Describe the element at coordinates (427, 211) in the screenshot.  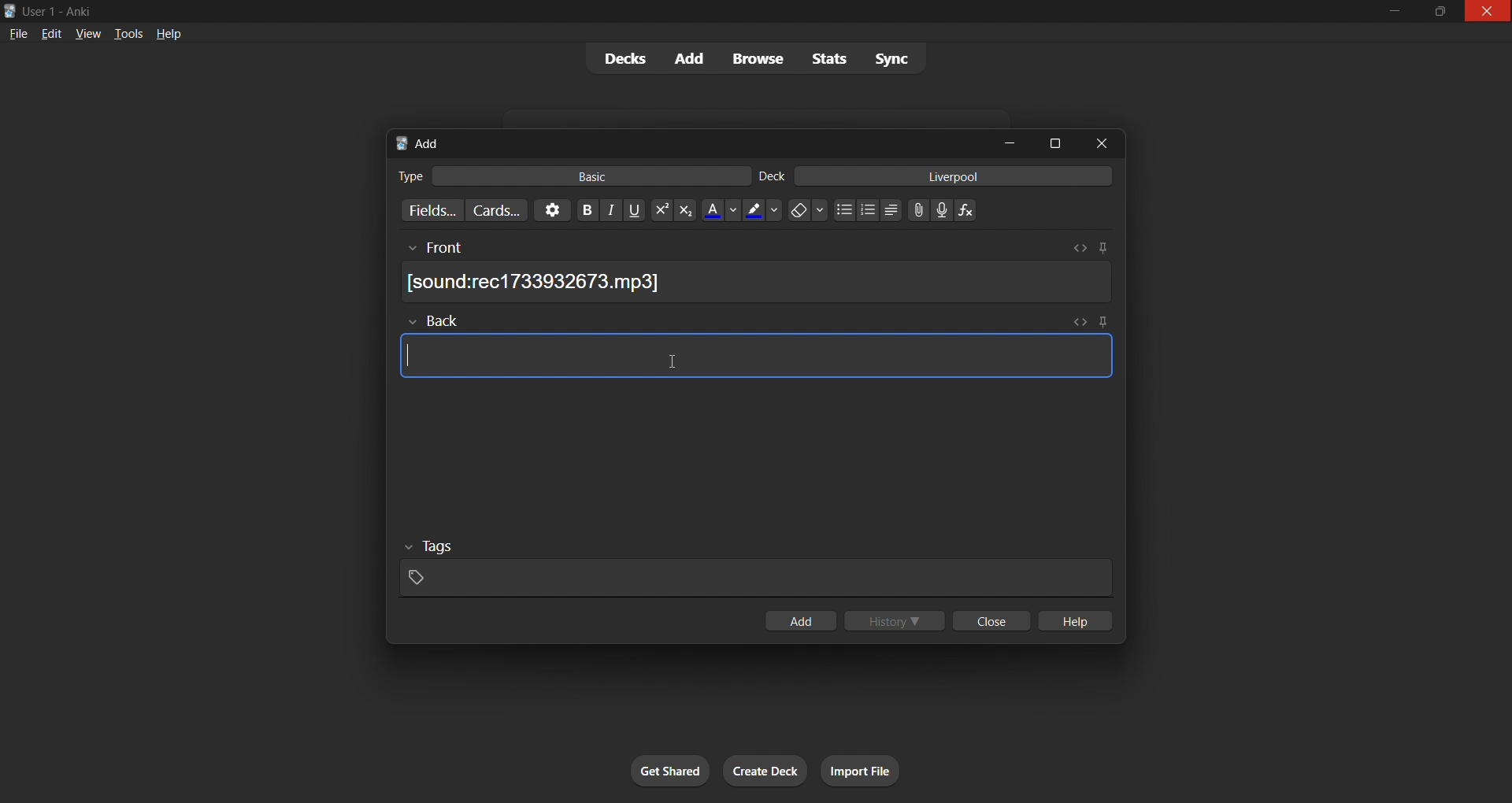
I see `customize fields` at that location.